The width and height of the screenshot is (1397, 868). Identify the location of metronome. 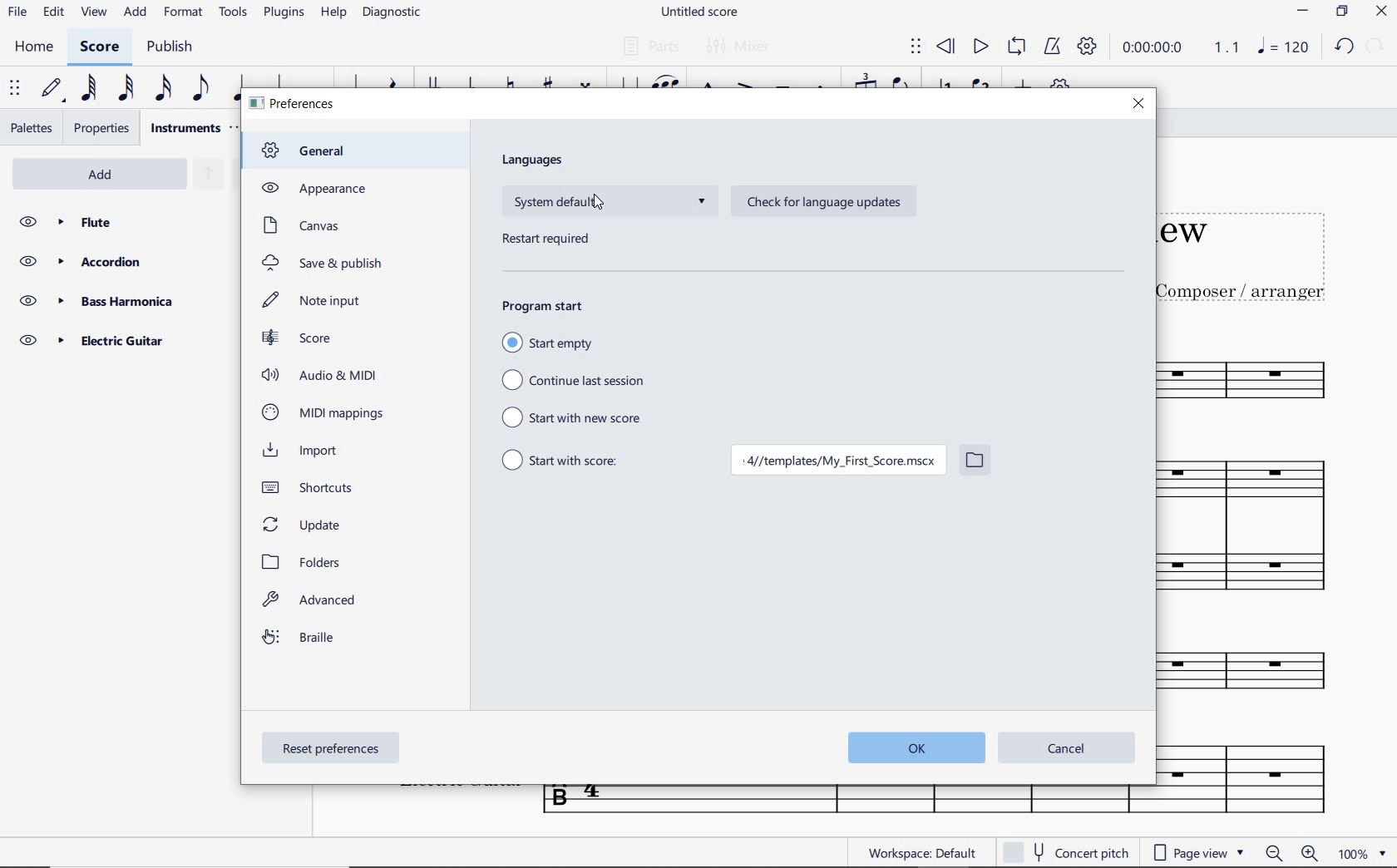
(1052, 47).